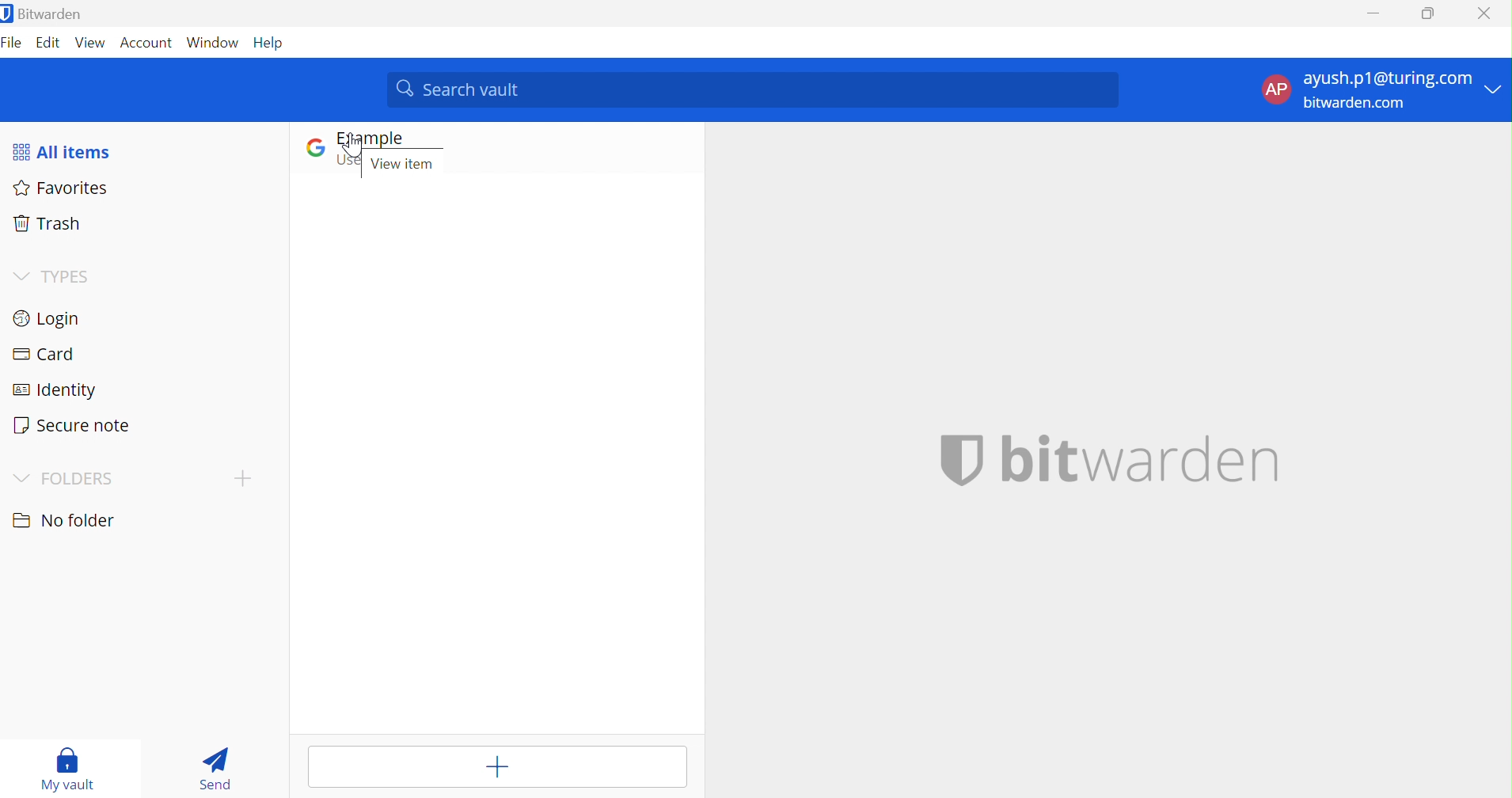  I want to click on Restore Down, so click(1429, 13).